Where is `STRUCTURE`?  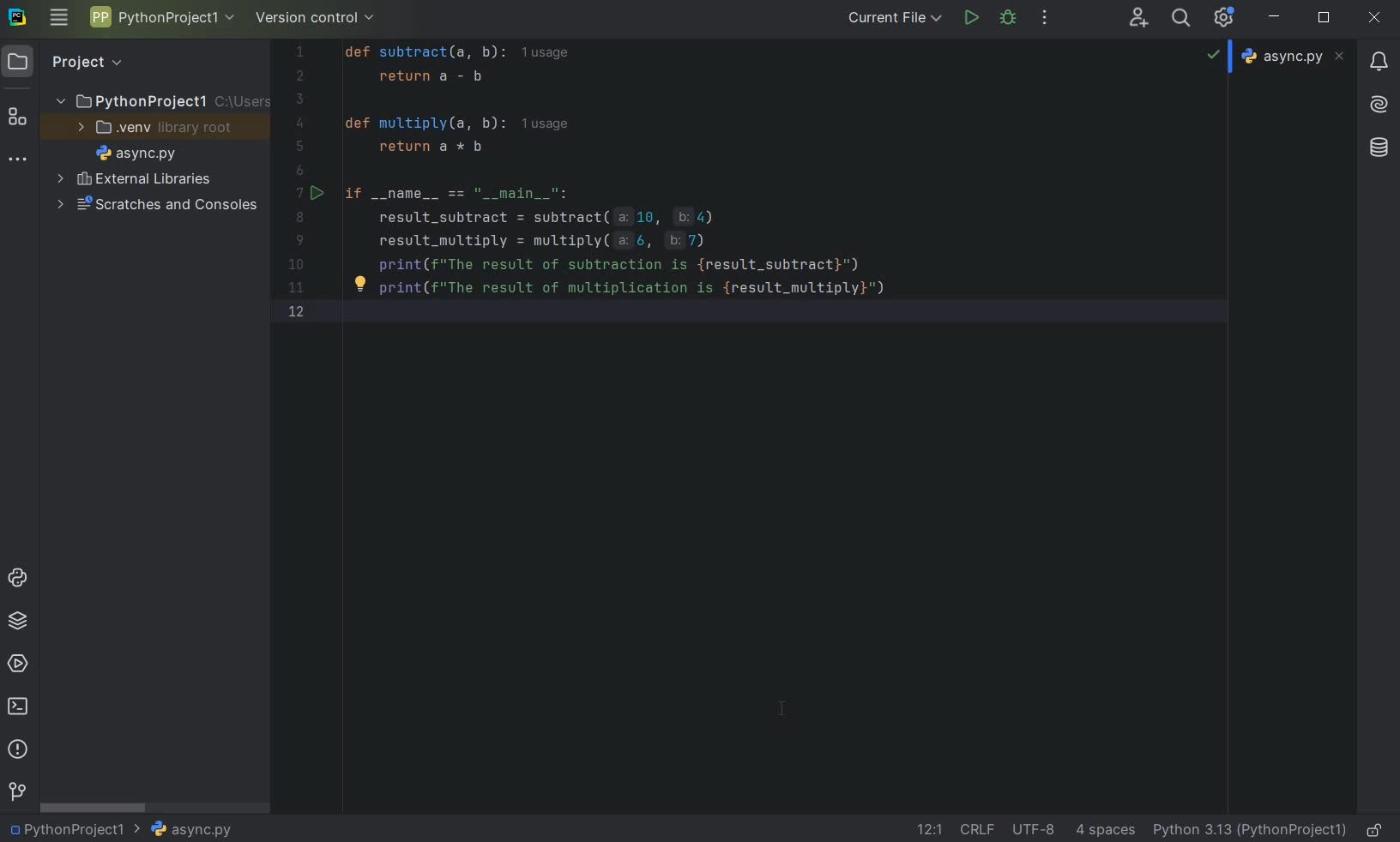
STRUCTURE is located at coordinates (19, 119).